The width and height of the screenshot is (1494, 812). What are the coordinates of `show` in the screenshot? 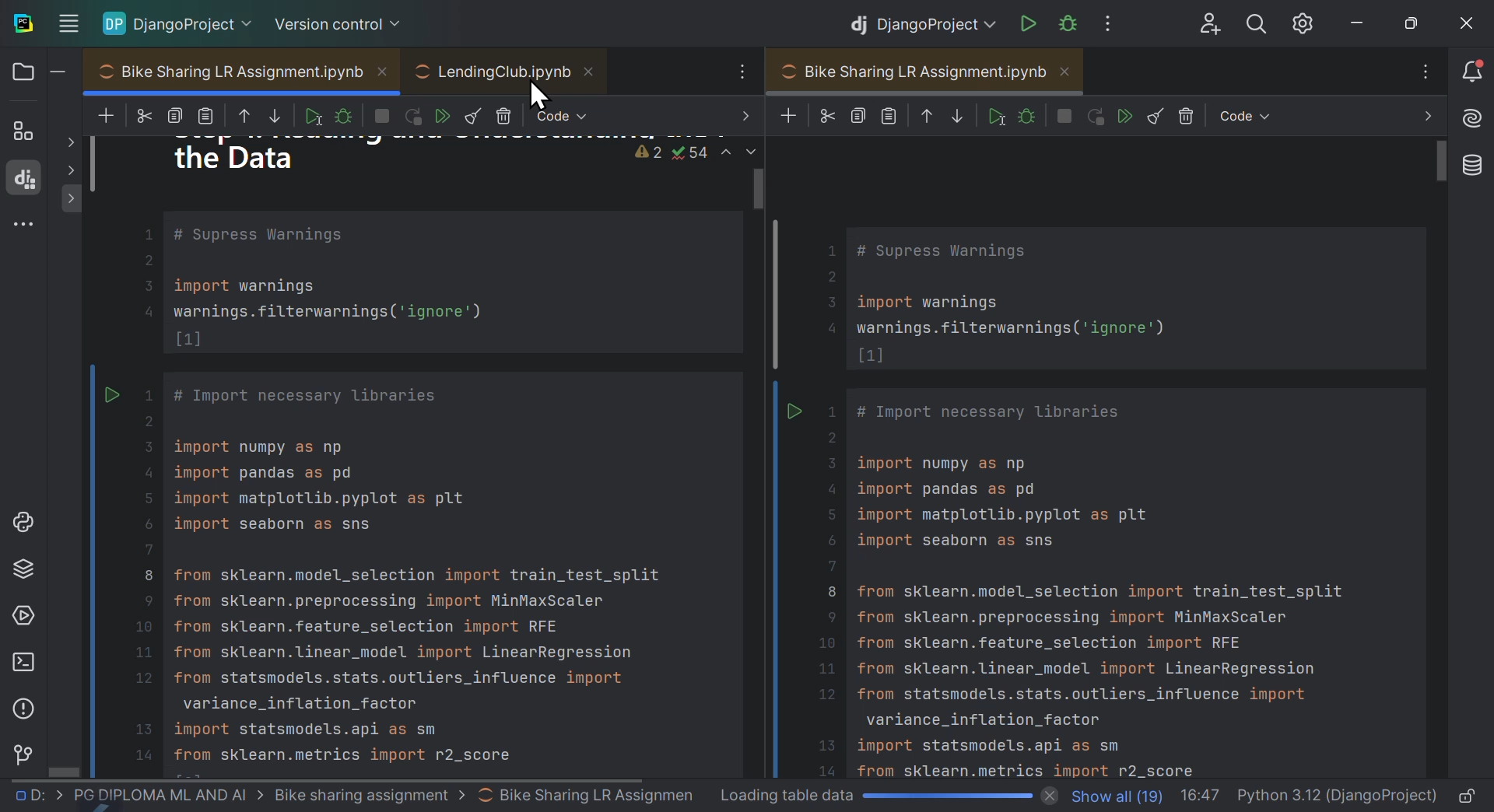 It's located at (71, 145).